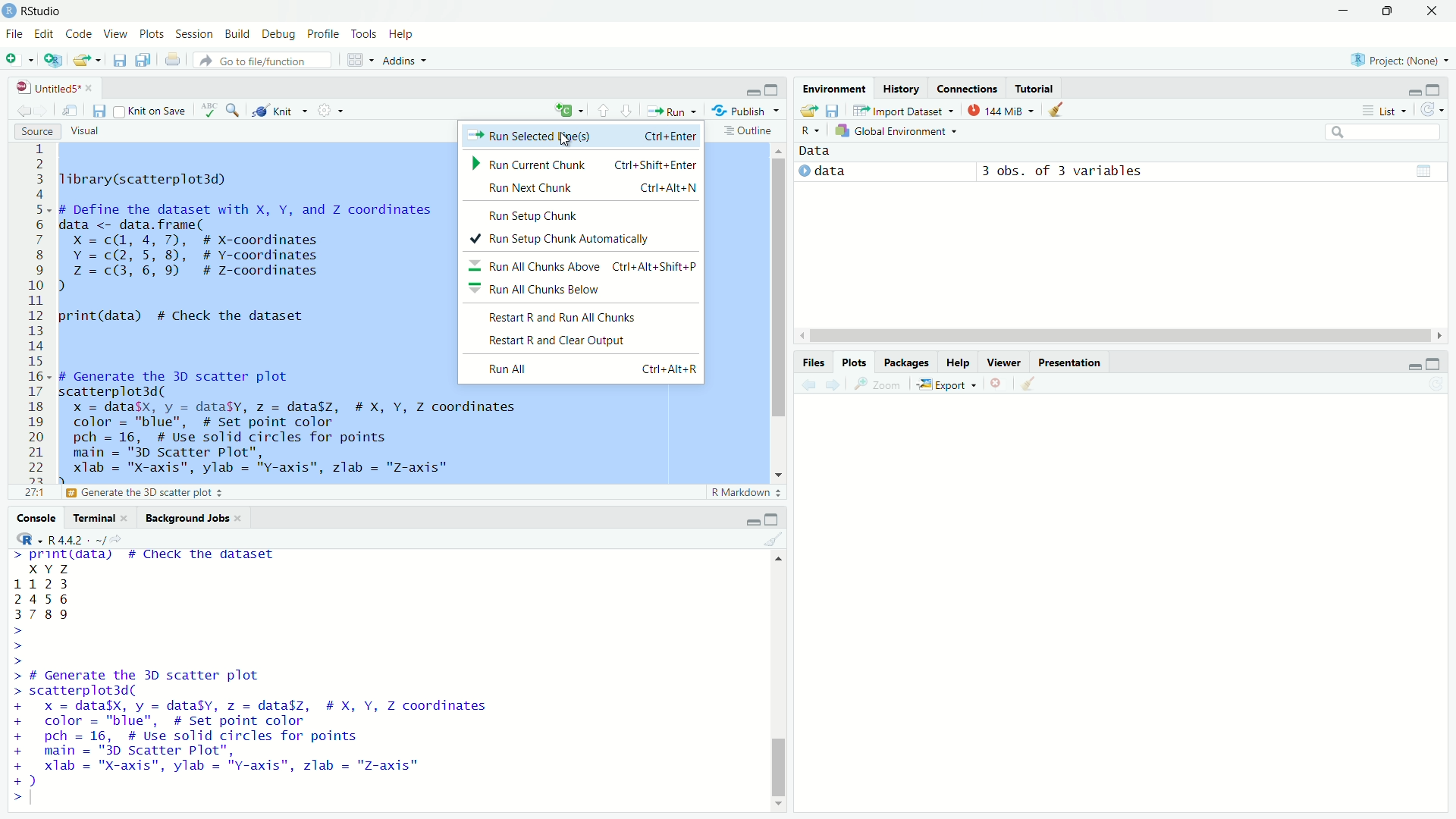  Describe the element at coordinates (29, 517) in the screenshot. I see `console` at that location.